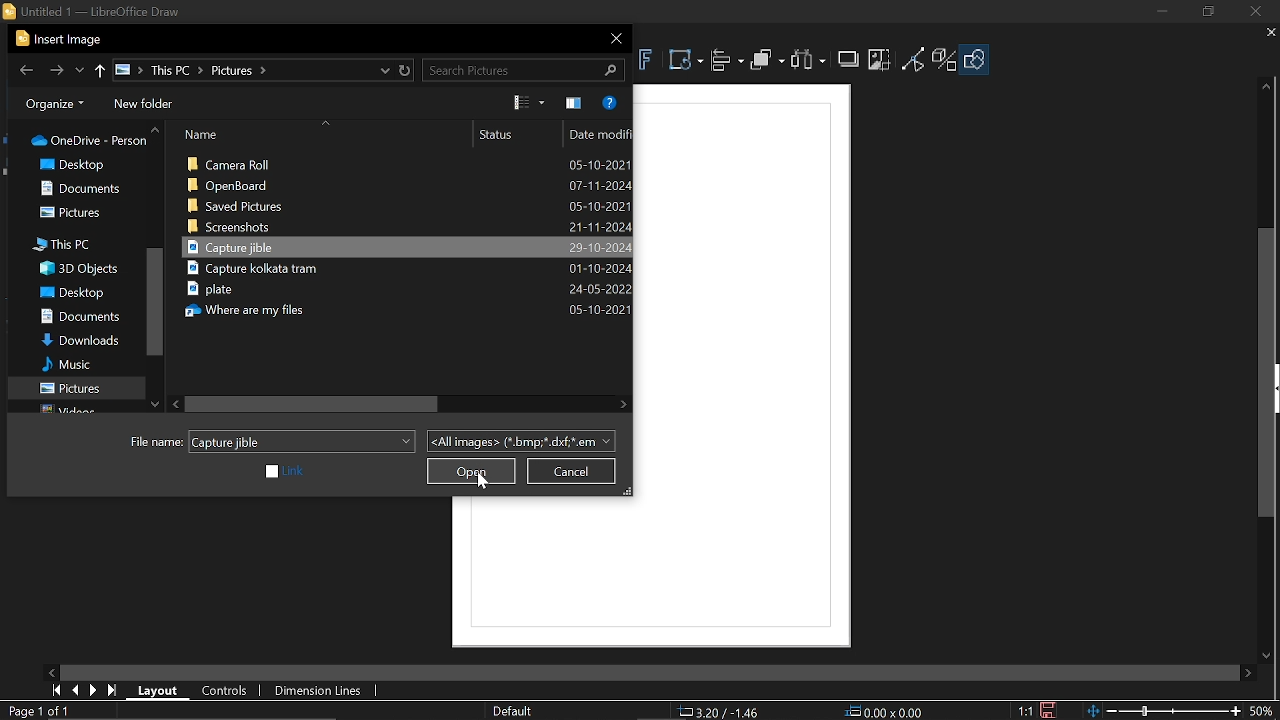  I want to click on Vertical scrollbar in folders, so click(155, 301).